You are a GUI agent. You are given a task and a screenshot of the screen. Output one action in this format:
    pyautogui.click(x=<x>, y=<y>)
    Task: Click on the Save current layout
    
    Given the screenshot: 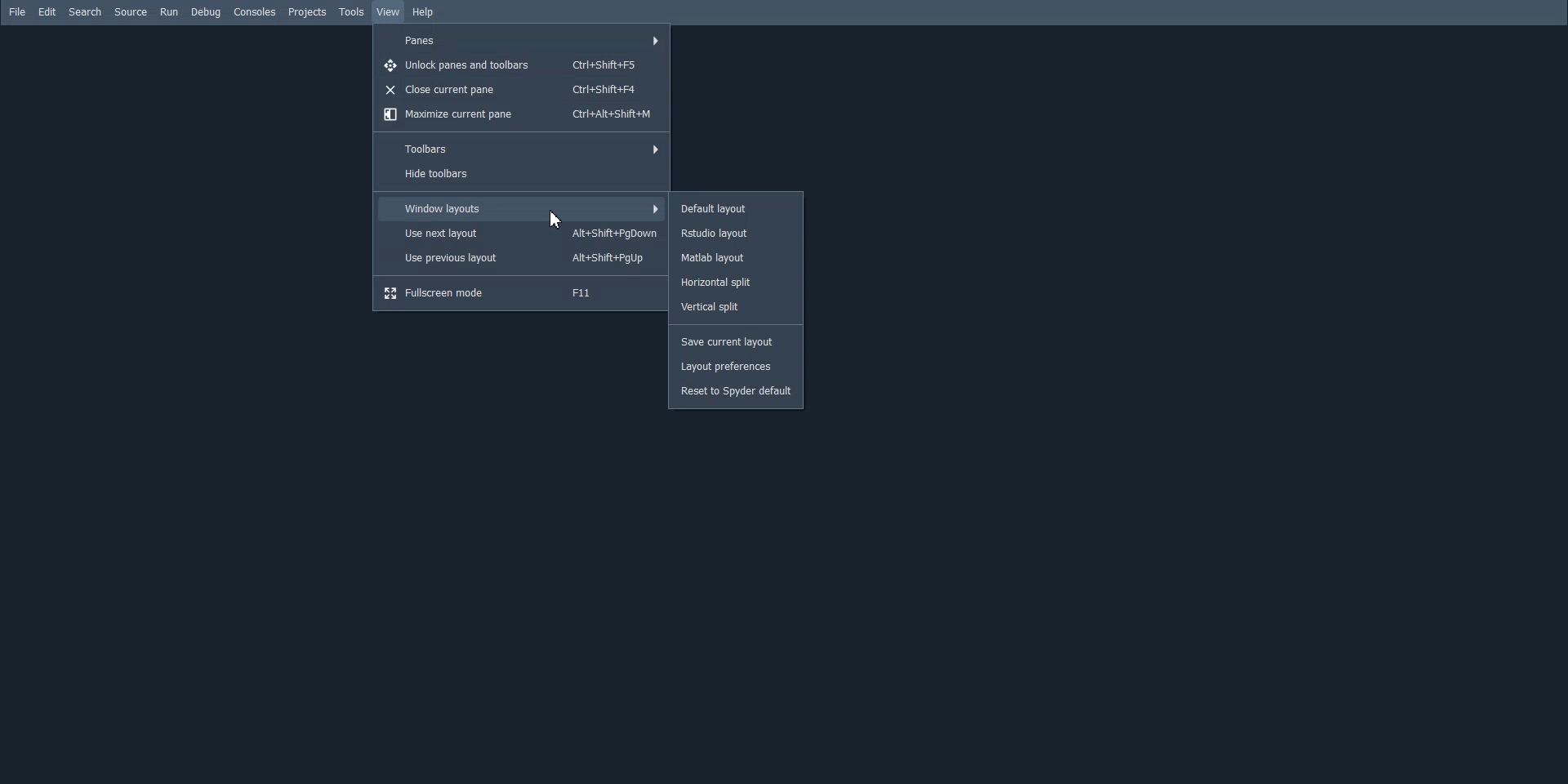 What is the action you would take?
    pyautogui.click(x=736, y=342)
    